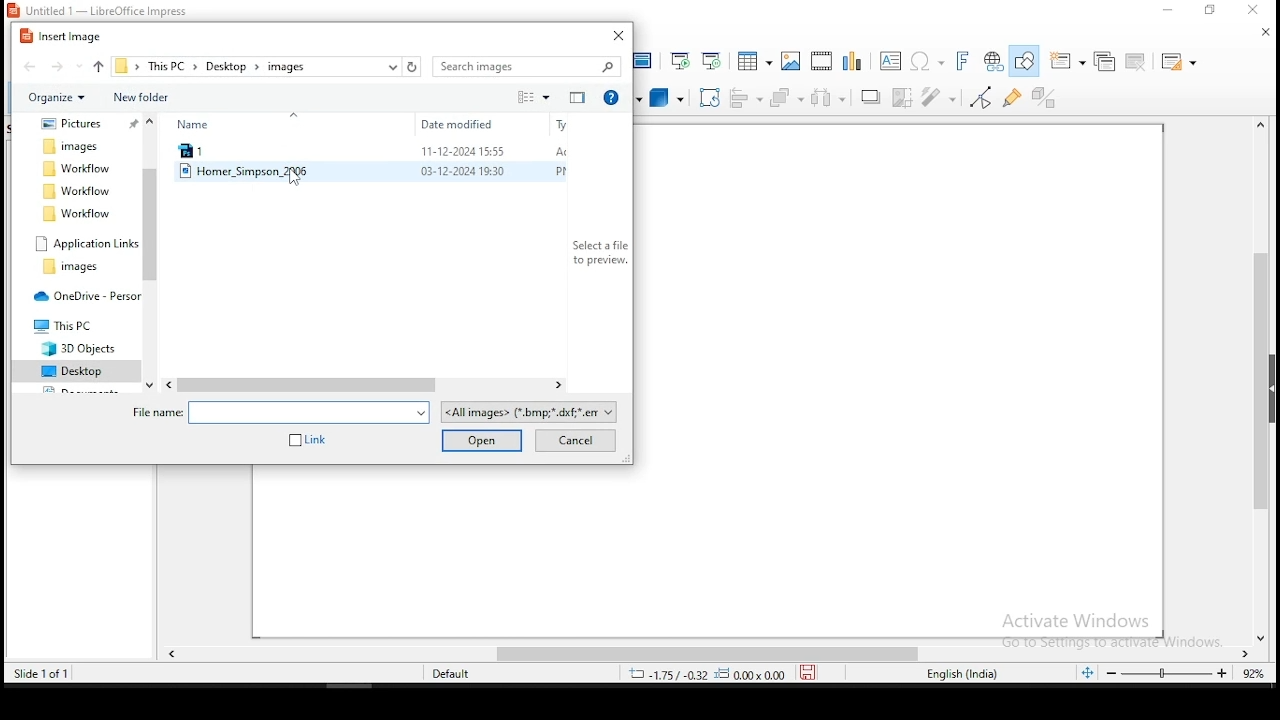 The image size is (1280, 720). Describe the element at coordinates (927, 58) in the screenshot. I see `insert special characters` at that location.